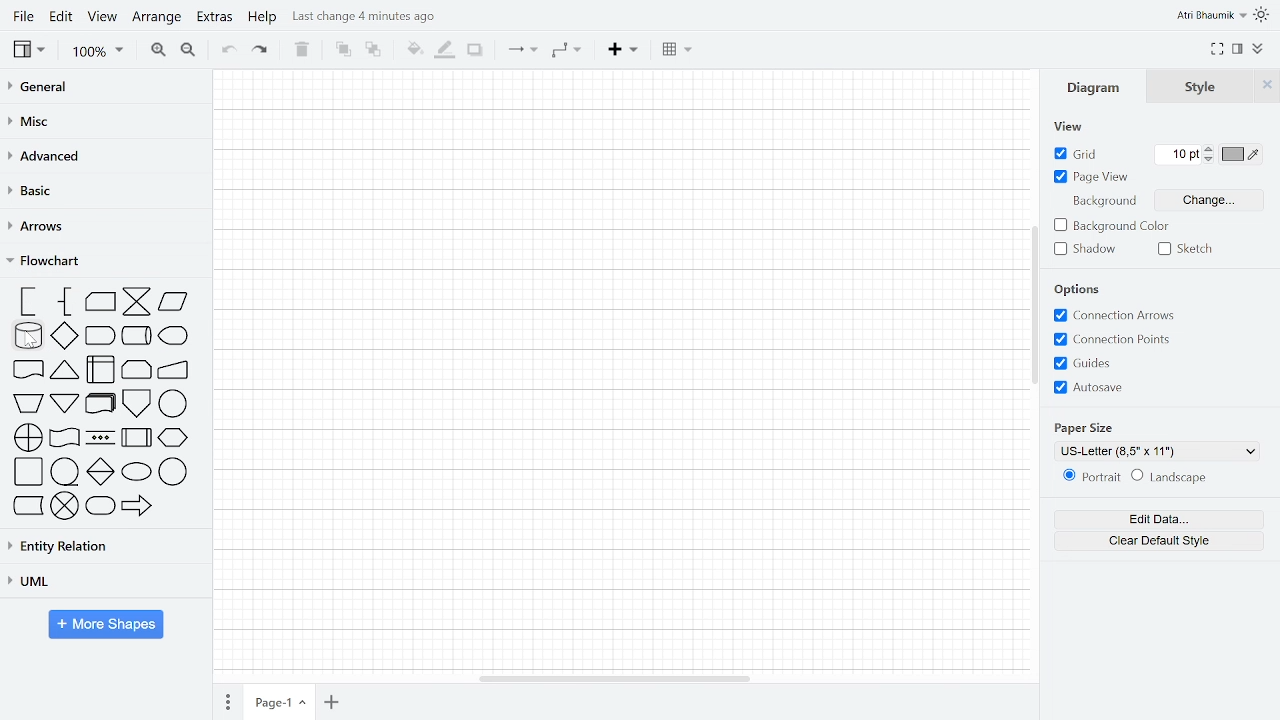 The image size is (1280, 720). What do you see at coordinates (98, 120) in the screenshot?
I see `MISC` at bounding box center [98, 120].